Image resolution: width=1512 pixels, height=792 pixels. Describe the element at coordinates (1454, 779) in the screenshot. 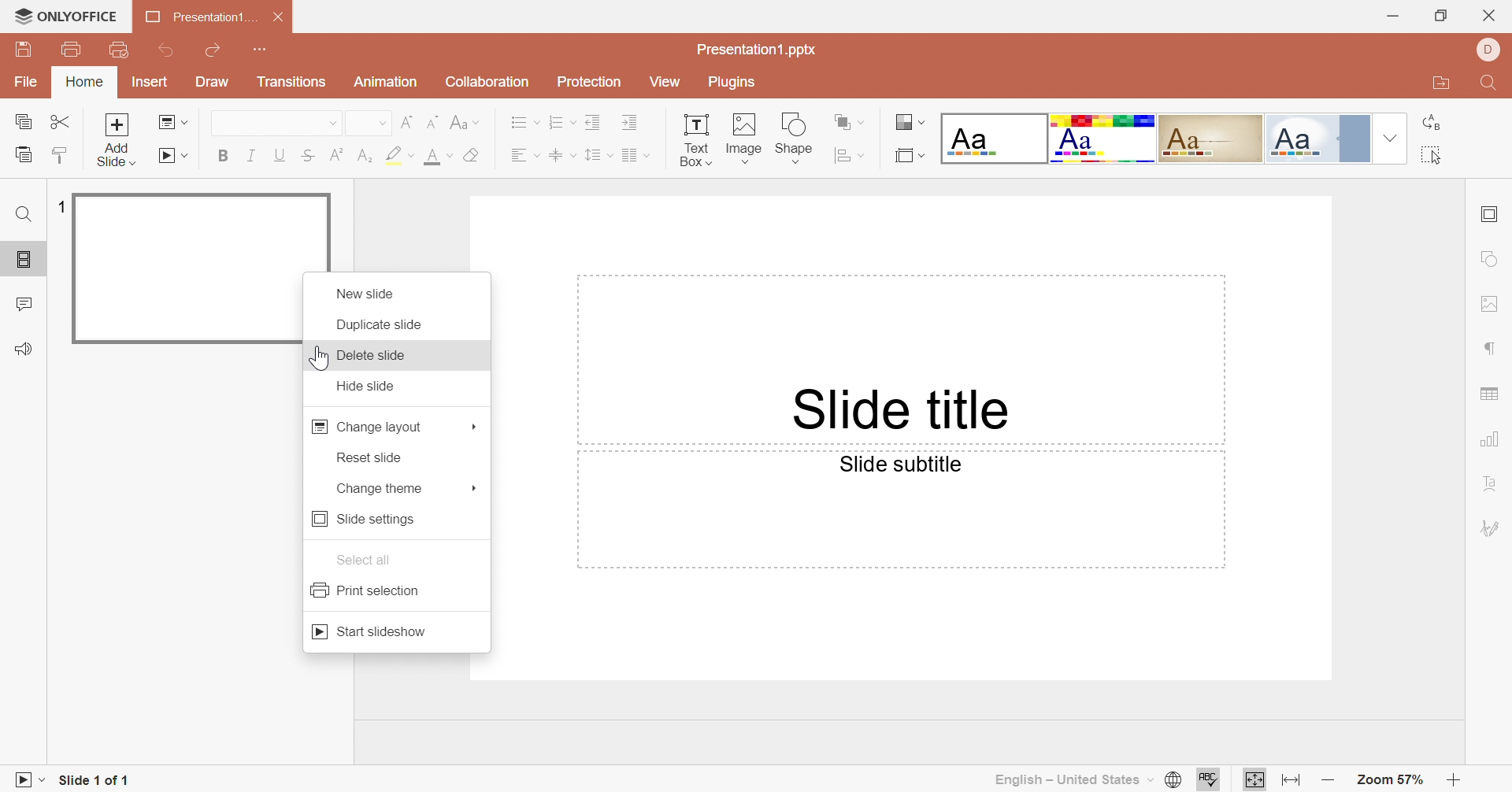

I see `Zoom in` at that location.